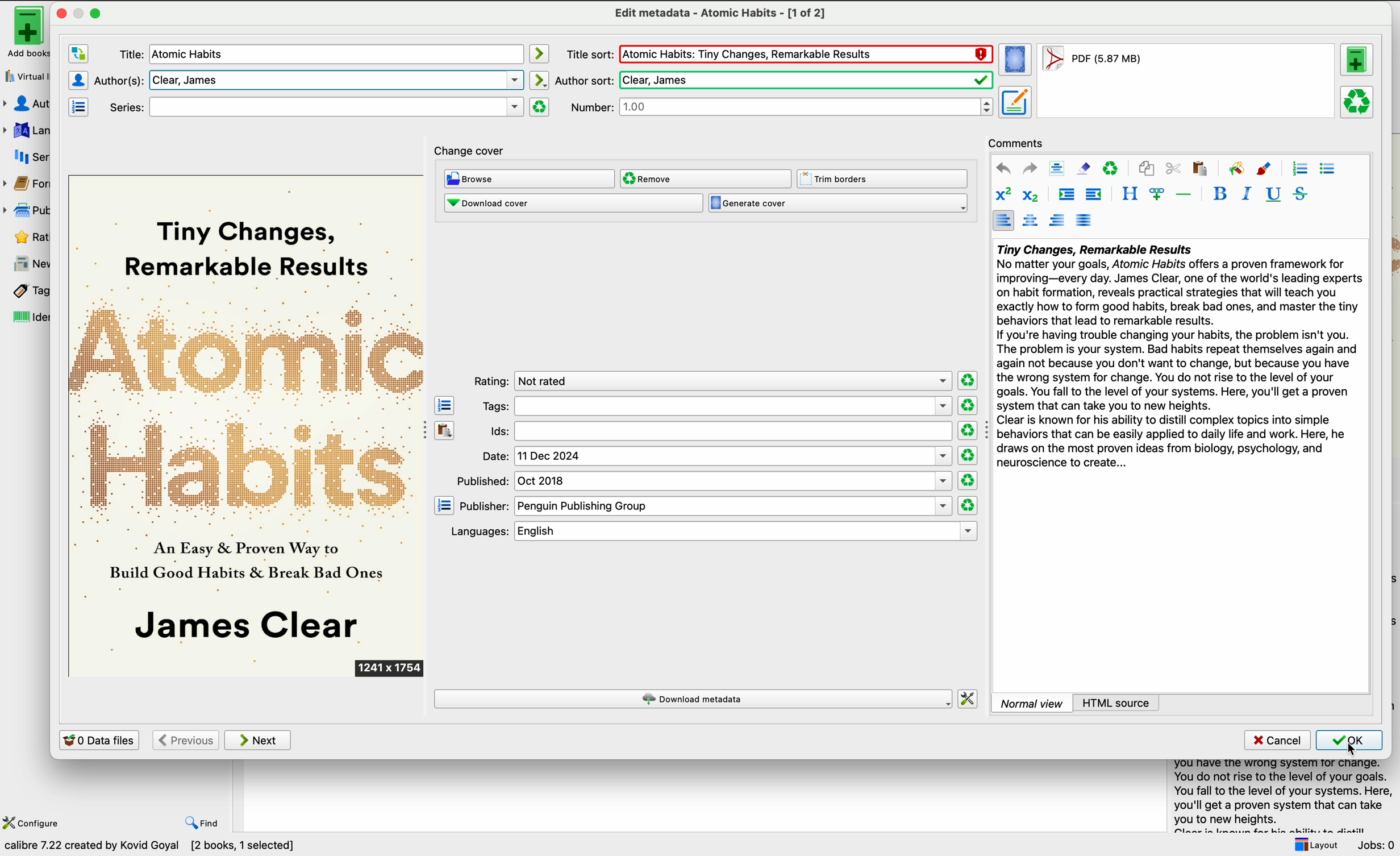 The height and width of the screenshot is (856, 1400). I want to click on align right, so click(1058, 220).